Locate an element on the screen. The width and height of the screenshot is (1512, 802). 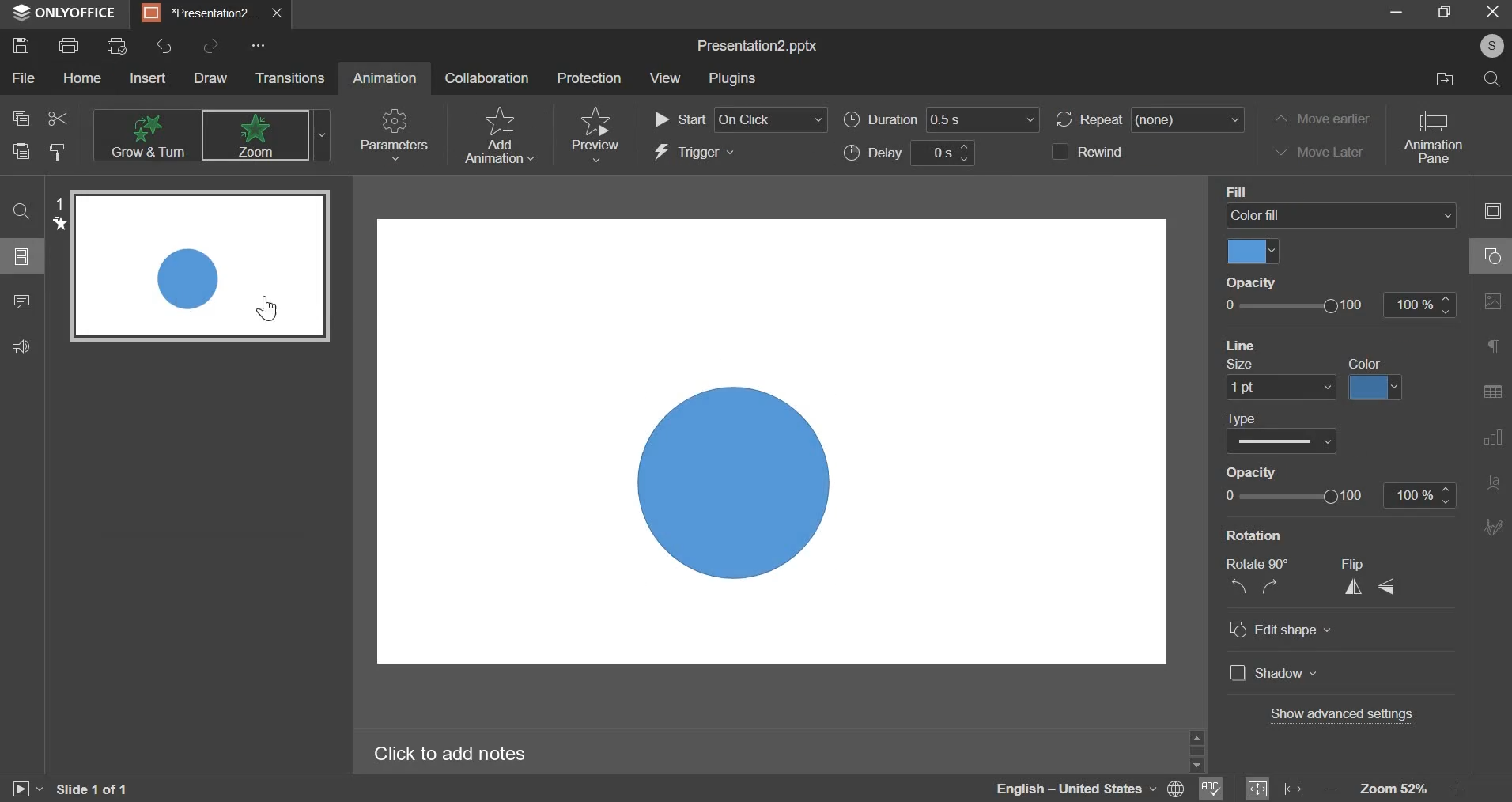
parameters is located at coordinates (392, 136).